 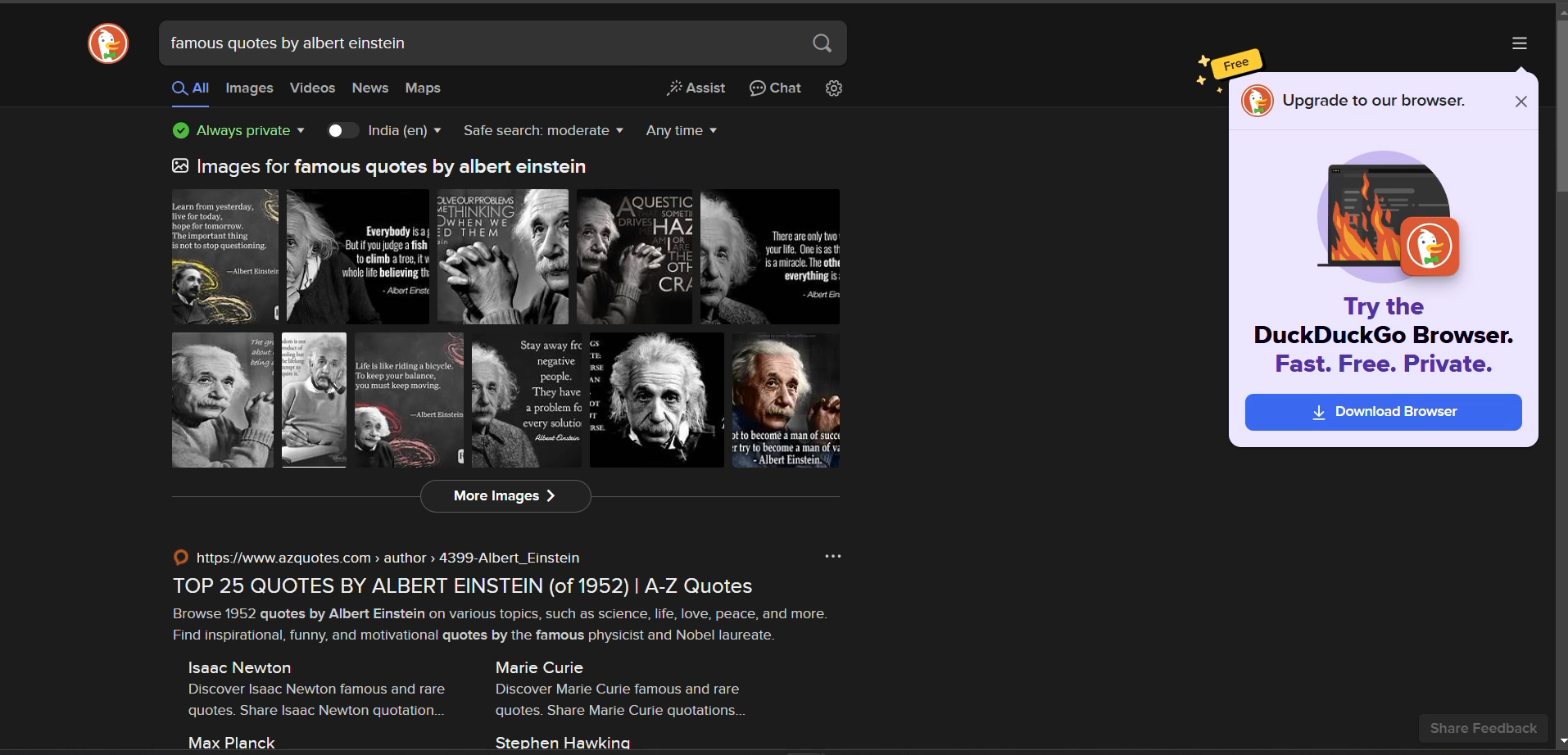 I want to click on icon, so click(x=1394, y=218).